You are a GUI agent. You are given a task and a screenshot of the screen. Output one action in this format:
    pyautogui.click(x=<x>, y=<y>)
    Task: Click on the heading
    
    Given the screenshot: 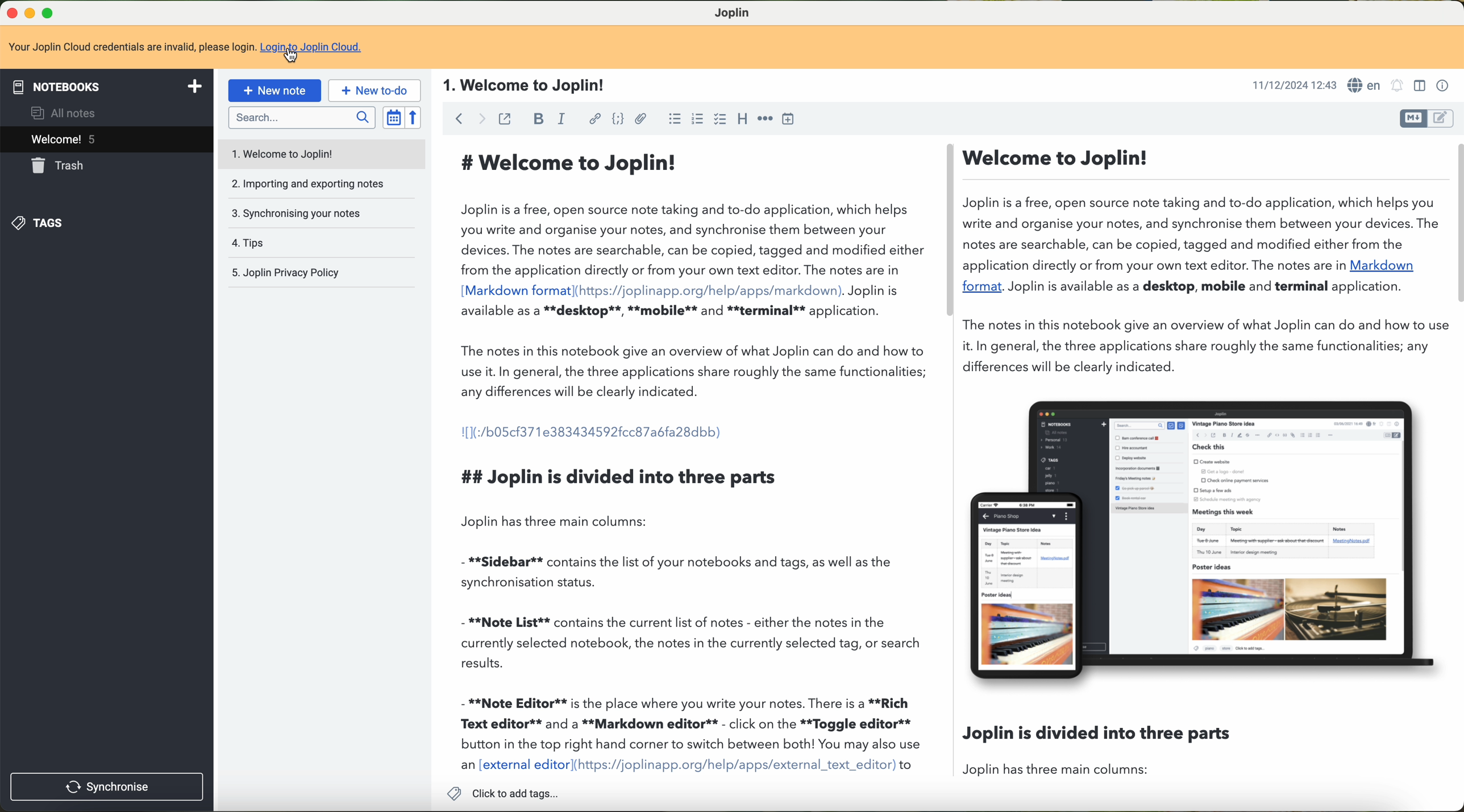 What is the action you would take?
    pyautogui.click(x=742, y=121)
    